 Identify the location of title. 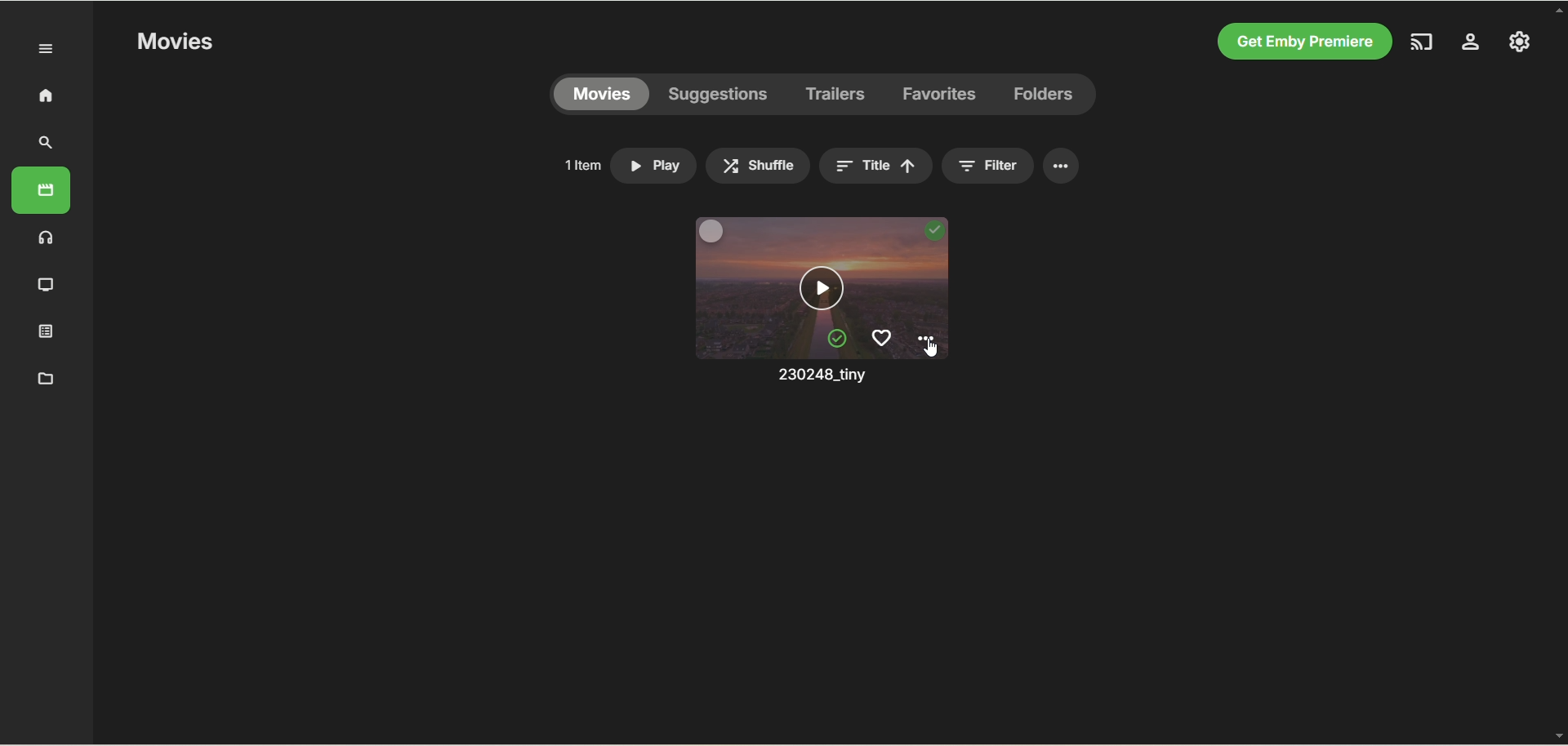
(875, 166).